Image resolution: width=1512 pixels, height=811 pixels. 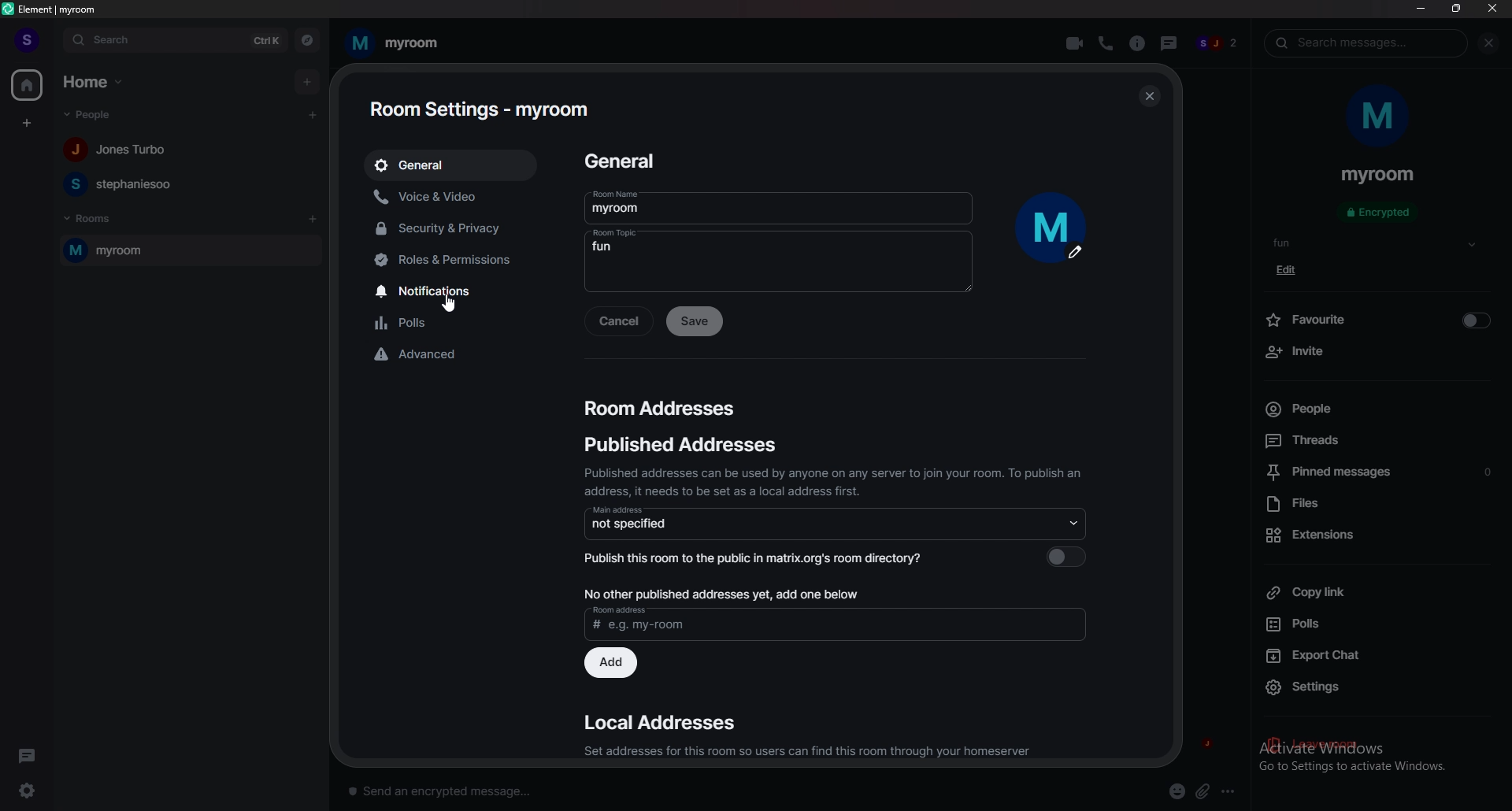 What do you see at coordinates (447, 789) in the screenshot?
I see `message box` at bounding box center [447, 789].